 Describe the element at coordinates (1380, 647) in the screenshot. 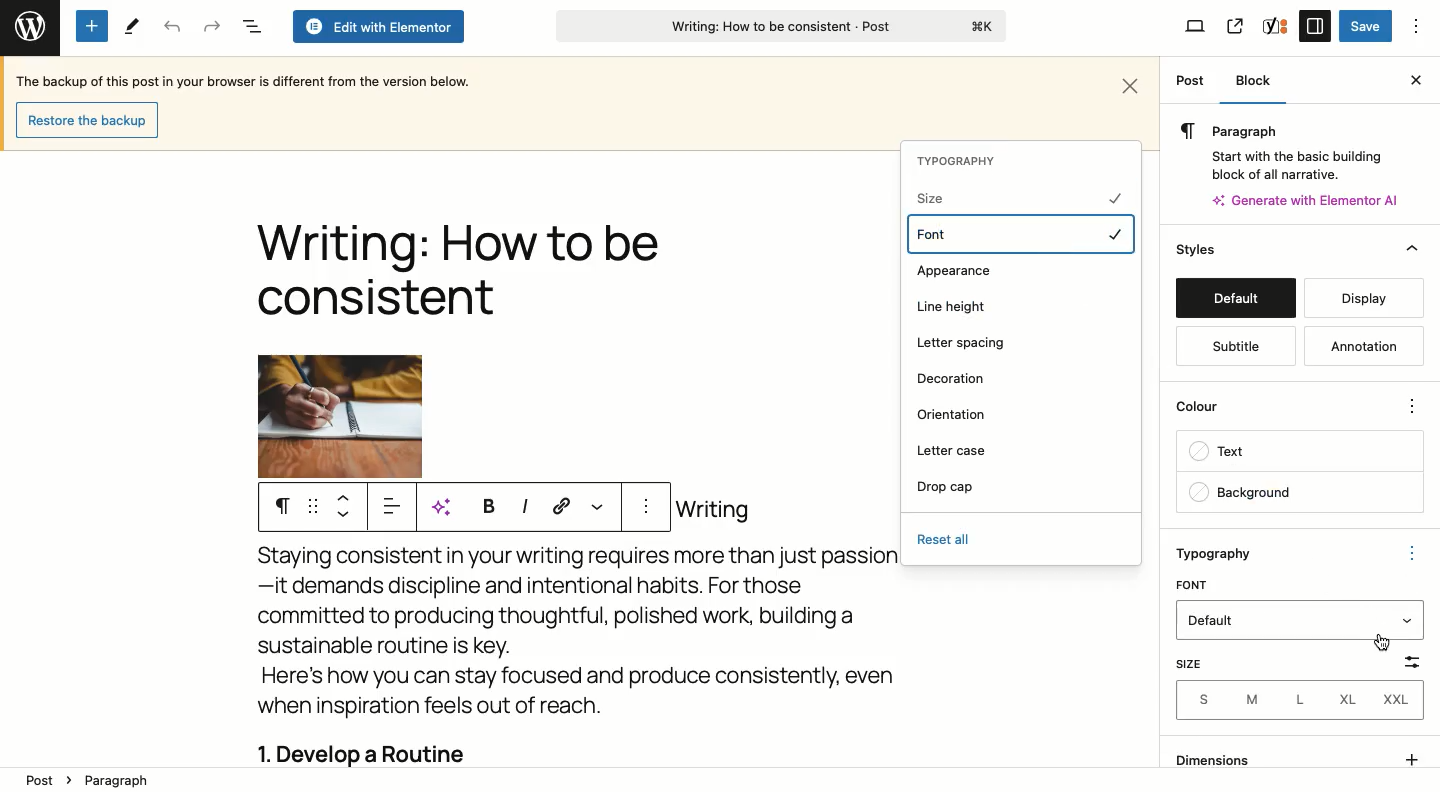

I see `Cursor` at that location.